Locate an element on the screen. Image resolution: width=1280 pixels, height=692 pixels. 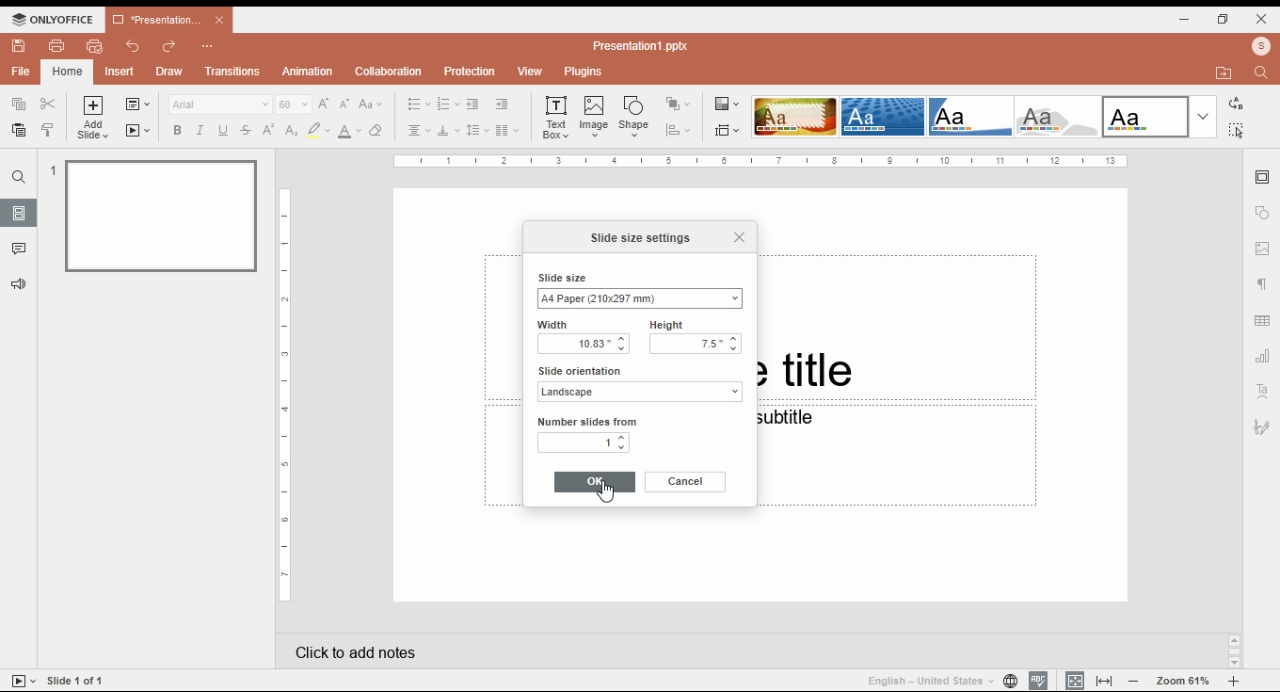
protection is located at coordinates (469, 72).